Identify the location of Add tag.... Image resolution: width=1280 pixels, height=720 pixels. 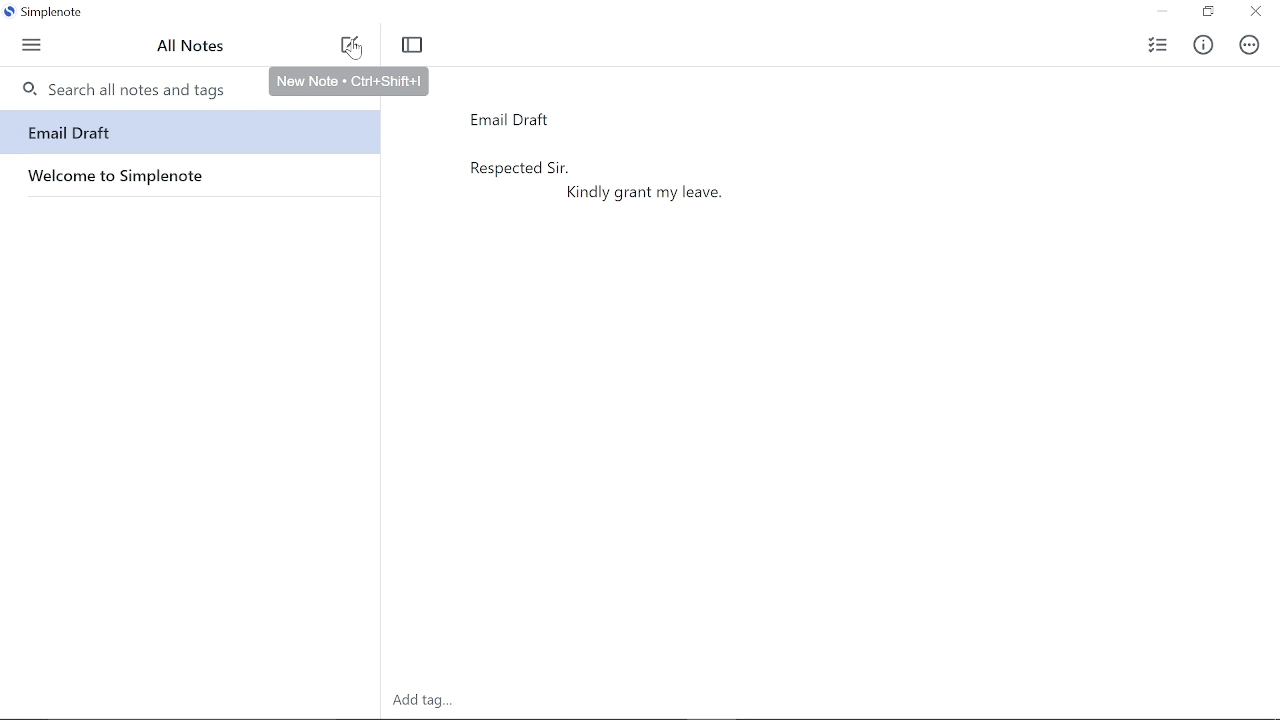
(424, 701).